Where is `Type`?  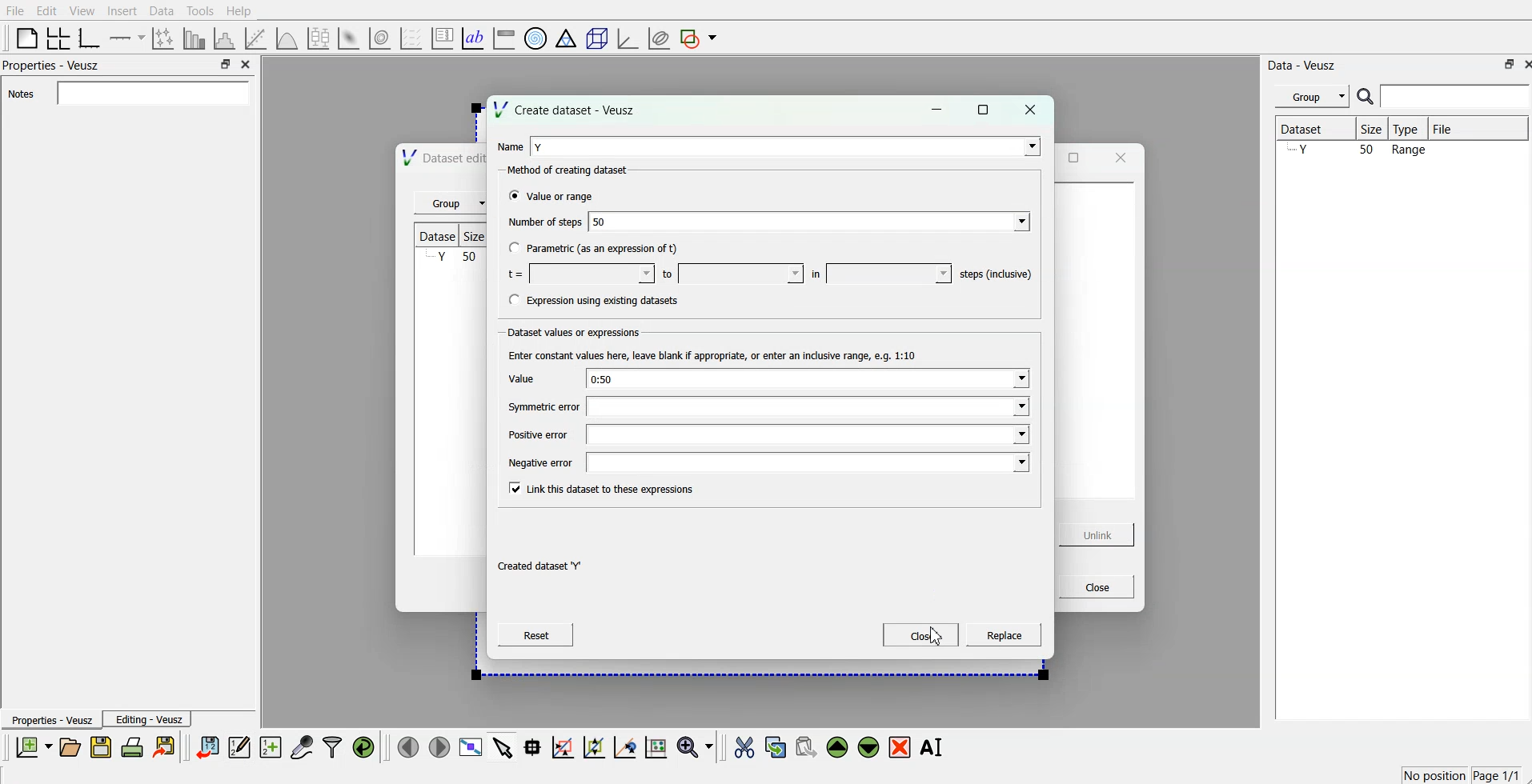
Type is located at coordinates (1410, 128).